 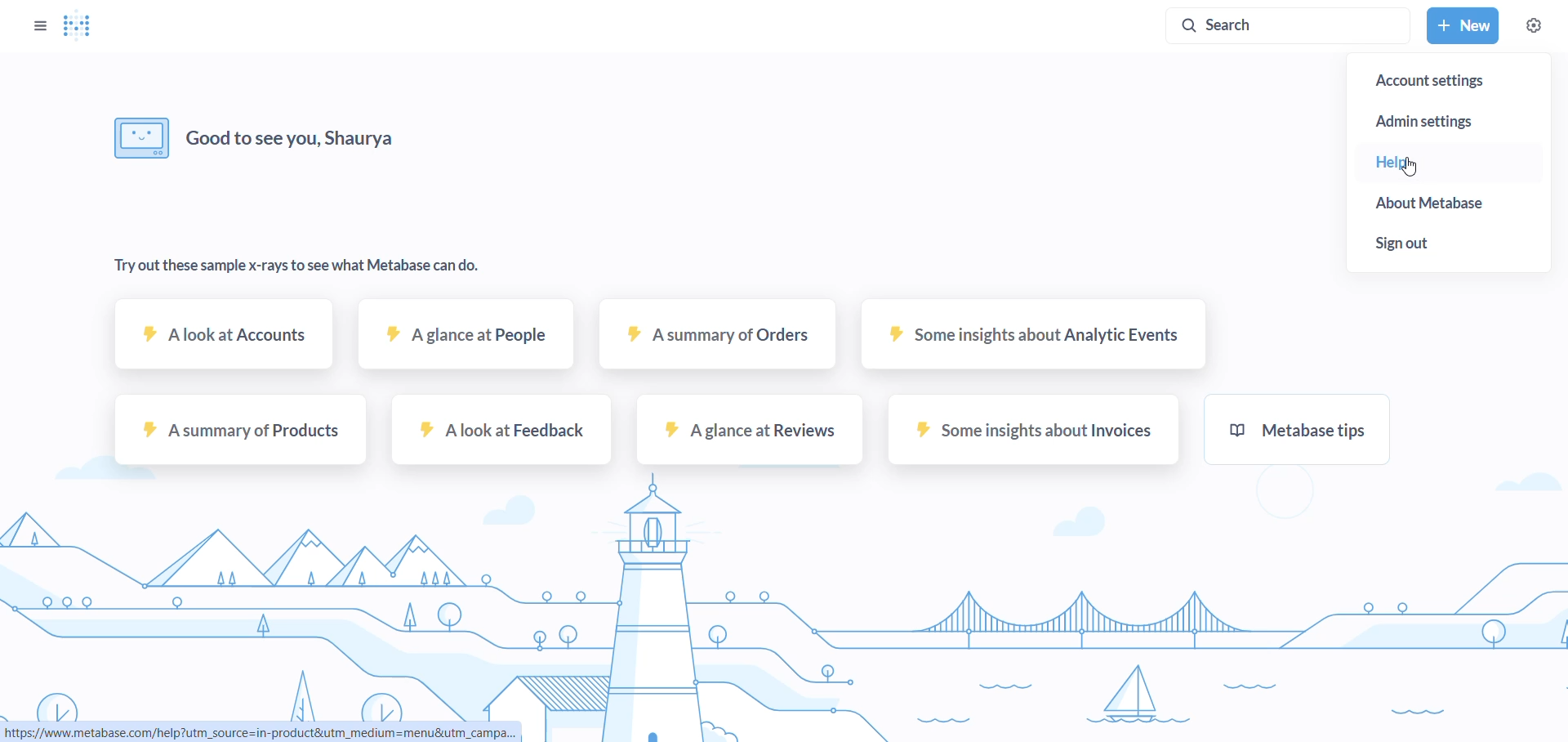 What do you see at coordinates (752, 435) in the screenshot?
I see `A glance at reviews sample` at bounding box center [752, 435].